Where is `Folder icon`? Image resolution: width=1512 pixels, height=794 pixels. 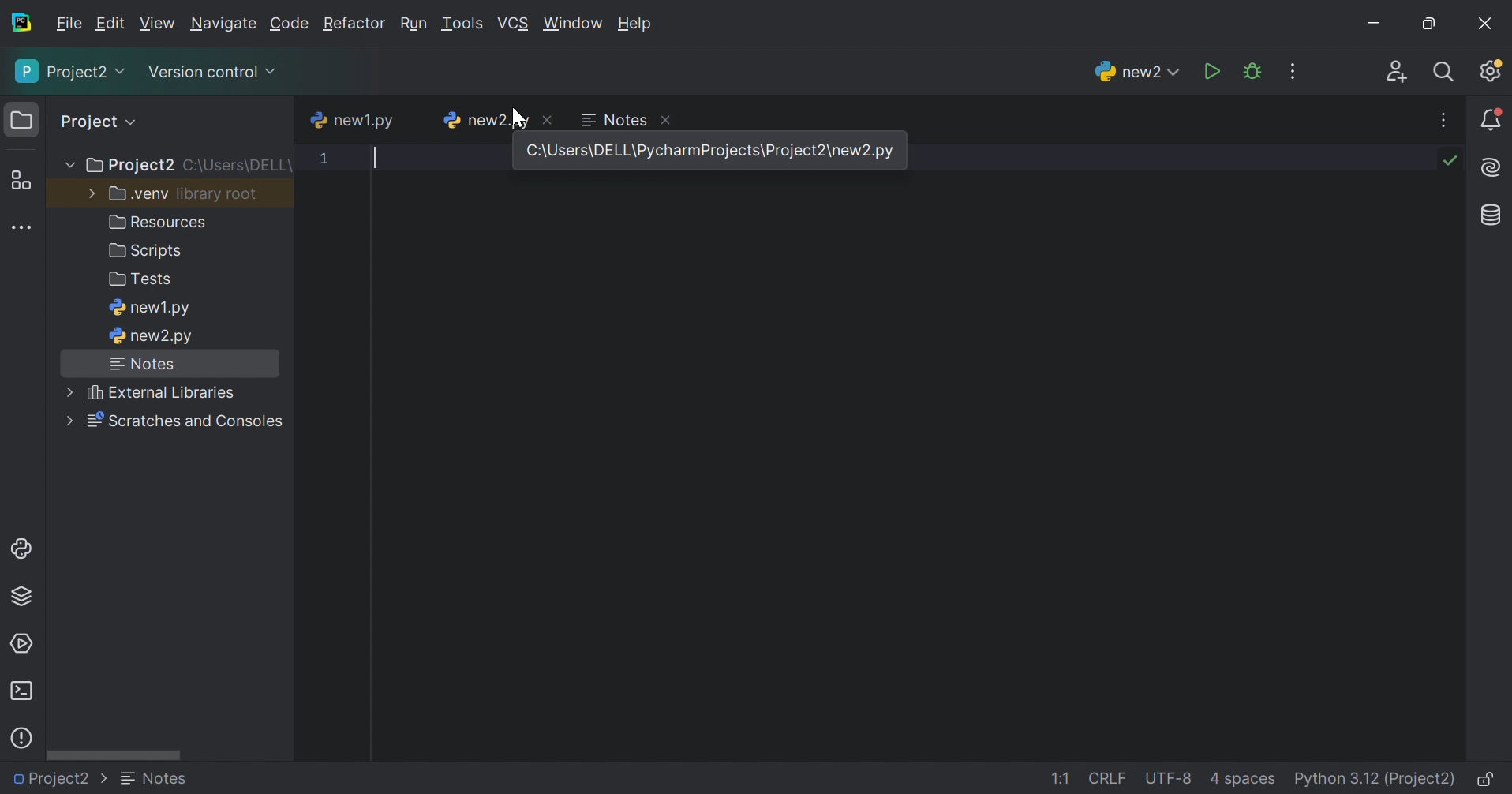 Folder icon is located at coordinates (18, 118).